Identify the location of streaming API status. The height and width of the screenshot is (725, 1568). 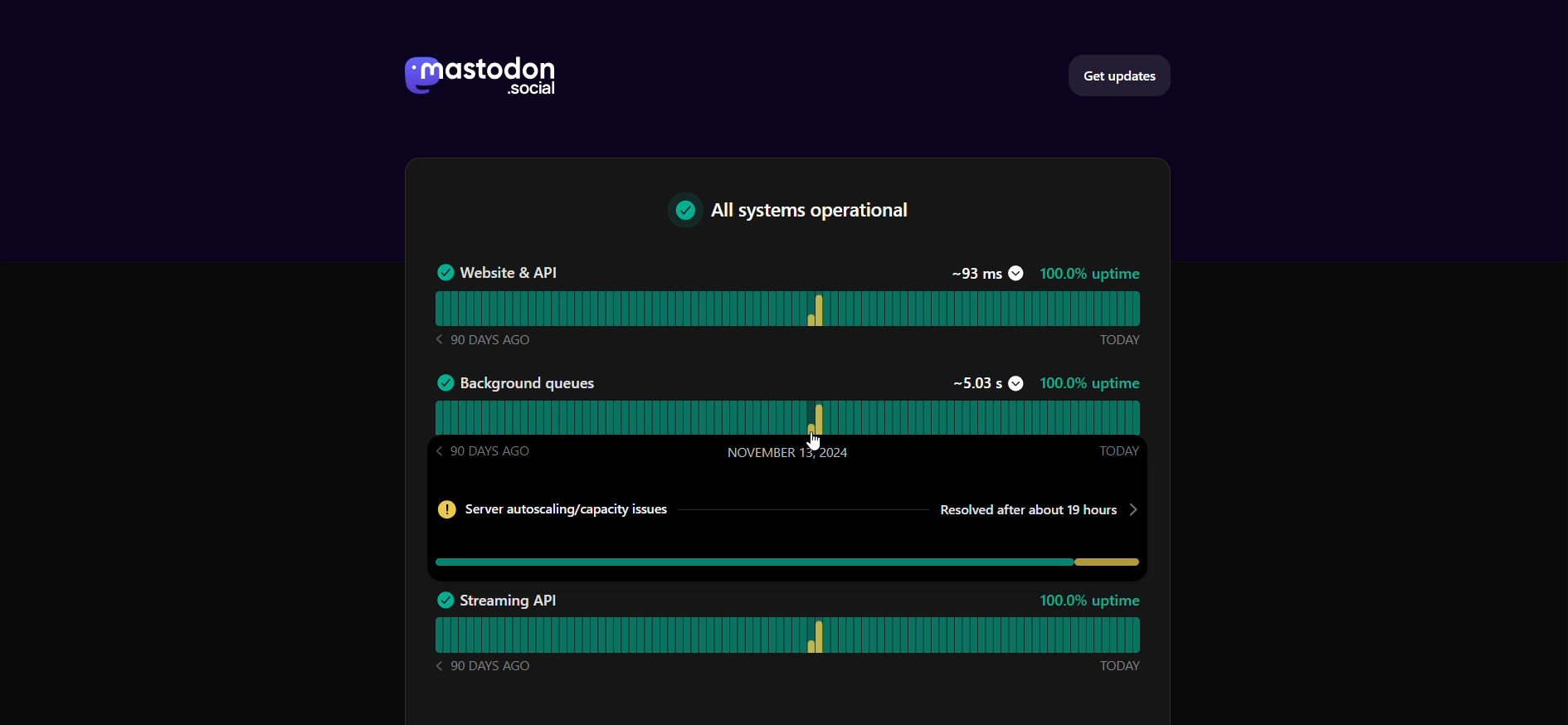
(791, 635).